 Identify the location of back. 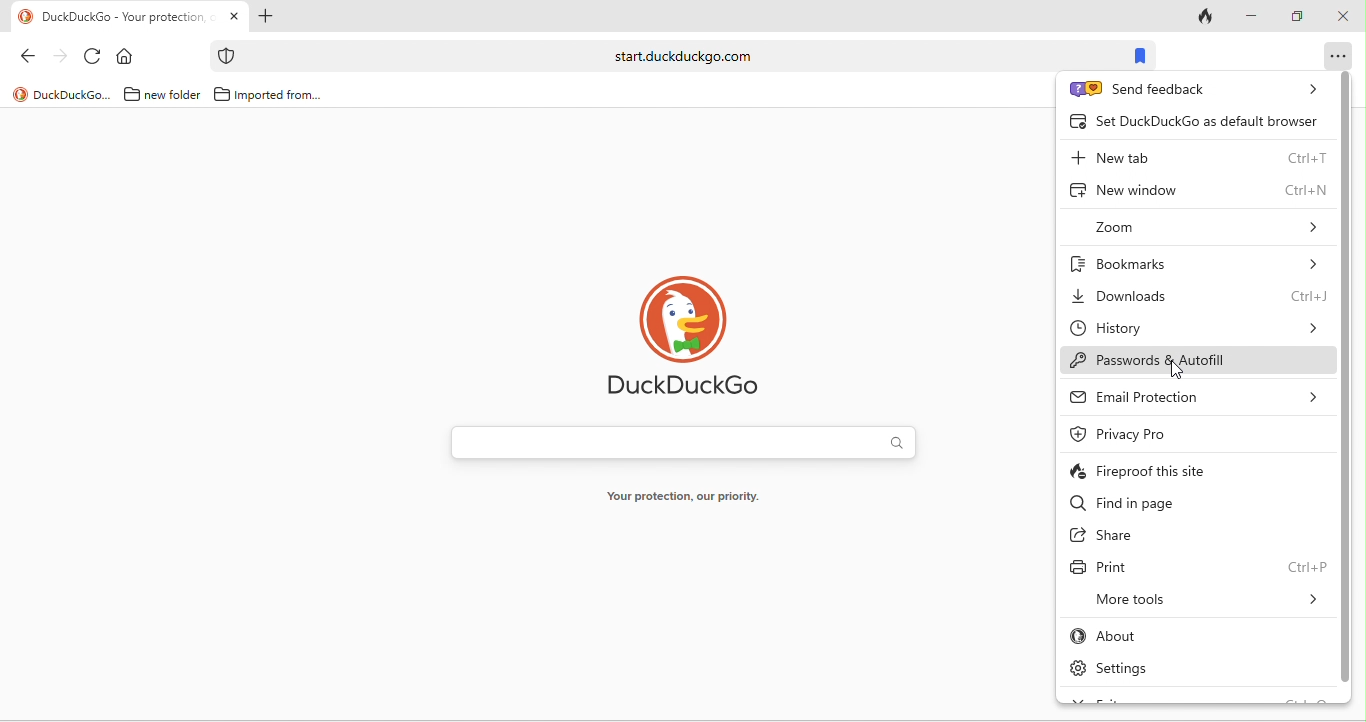
(33, 59).